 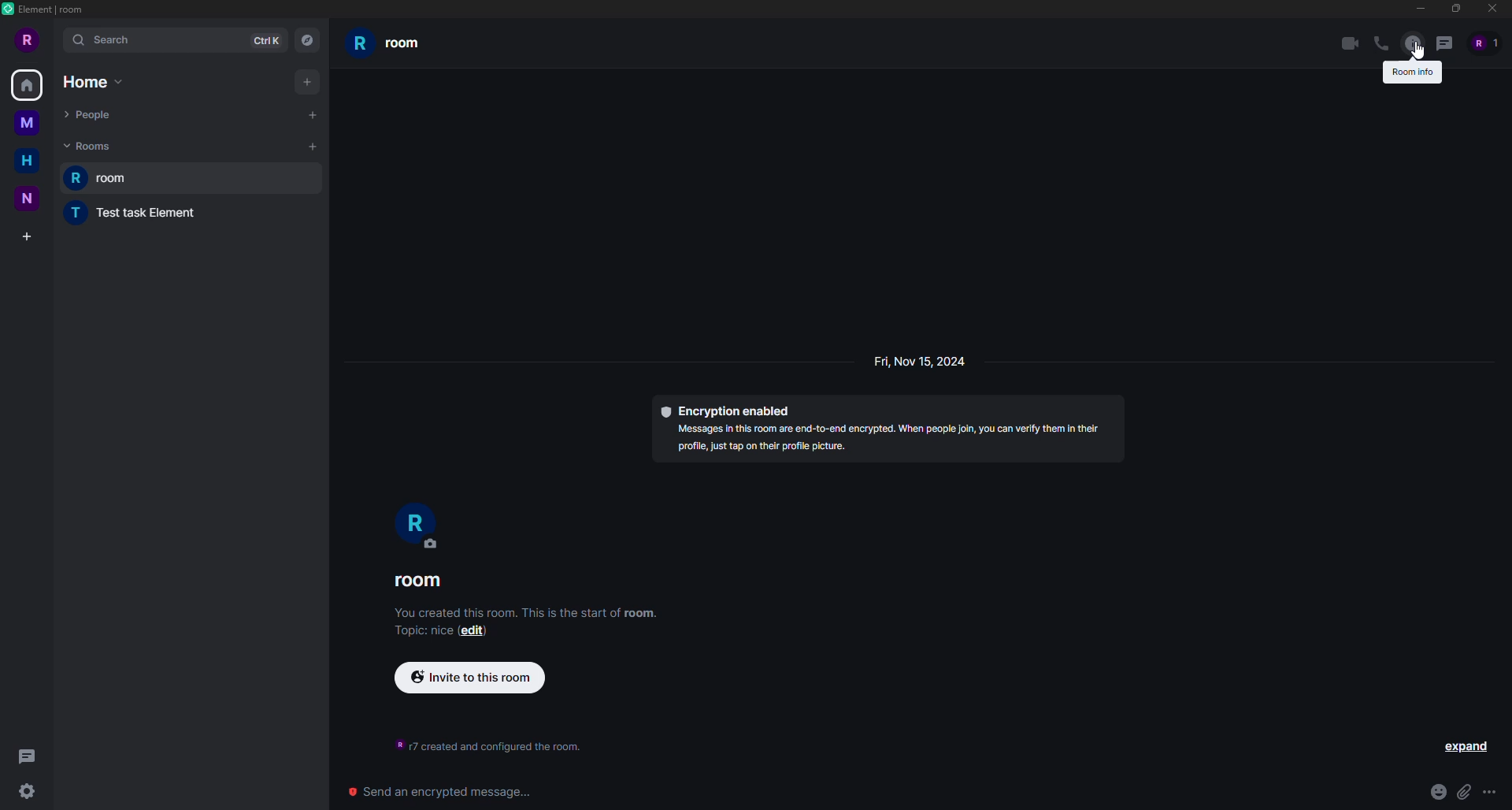 I want to click on logo, so click(x=10, y=10).